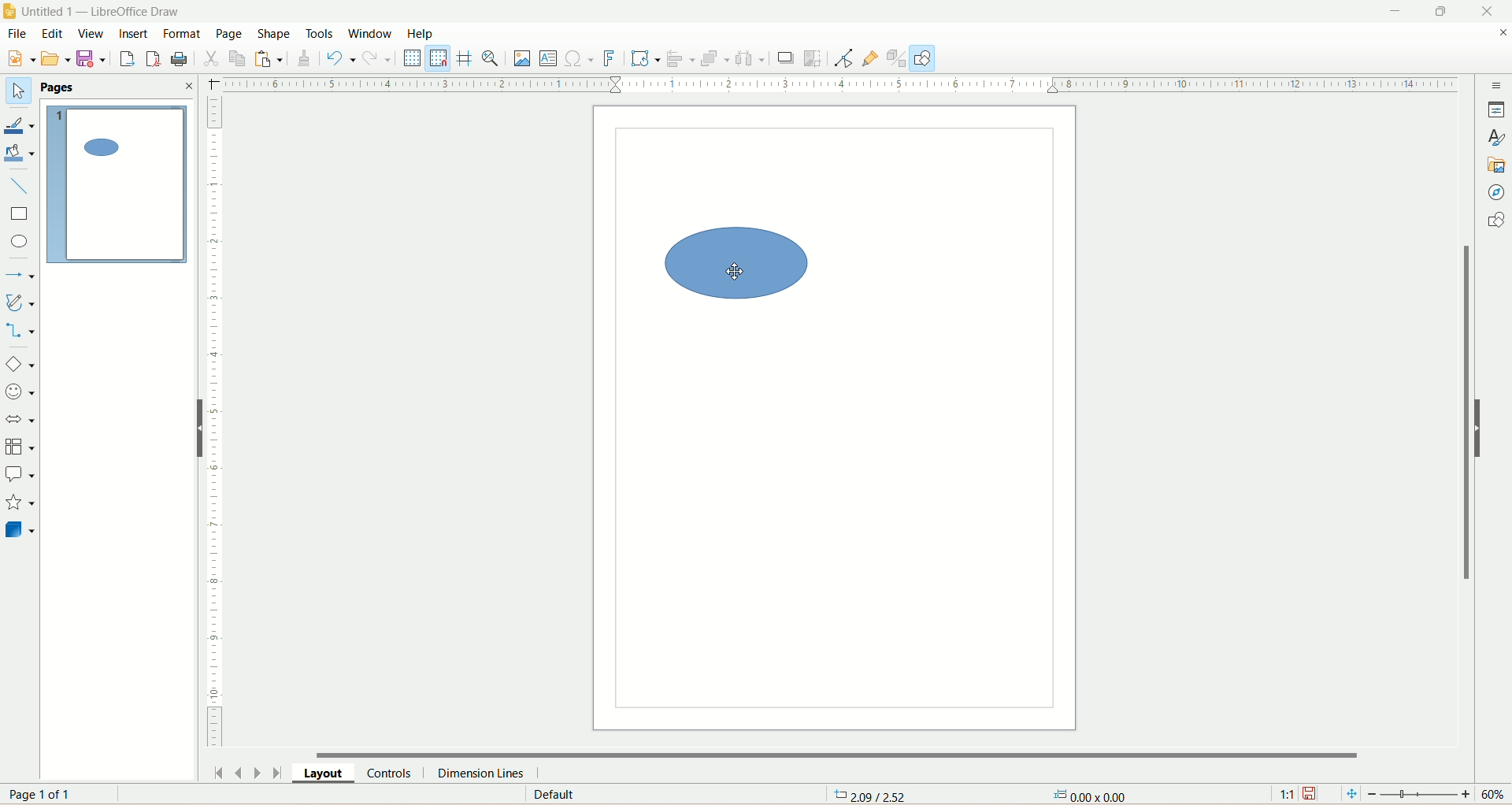 The width and height of the screenshot is (1512, 805). I want to click on redo, so click(380, 60).